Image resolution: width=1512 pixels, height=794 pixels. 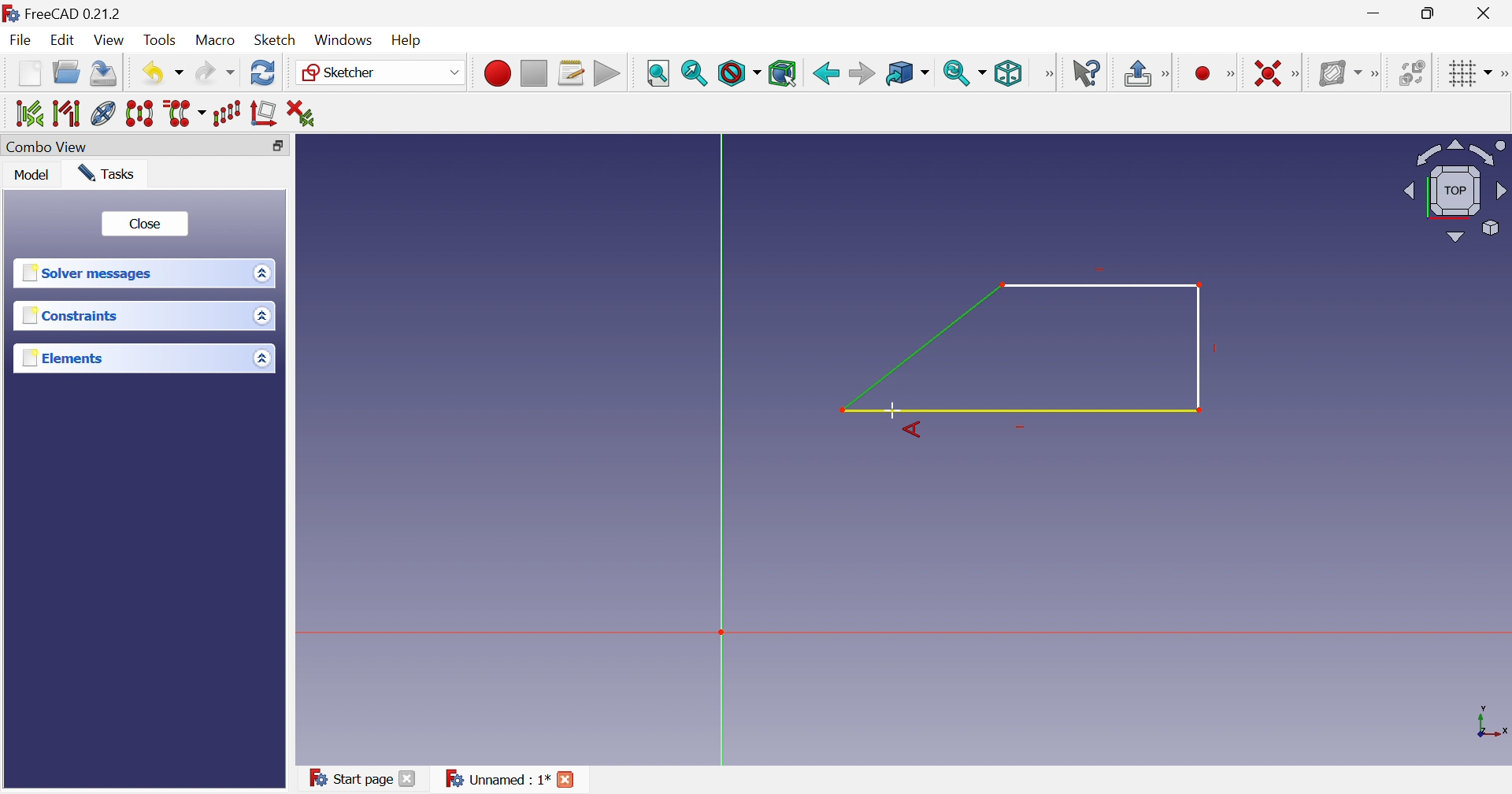 What do you see at coordinates (1298, 72) in the screenshot?
I see `More` at bounding box center [1298, 72].